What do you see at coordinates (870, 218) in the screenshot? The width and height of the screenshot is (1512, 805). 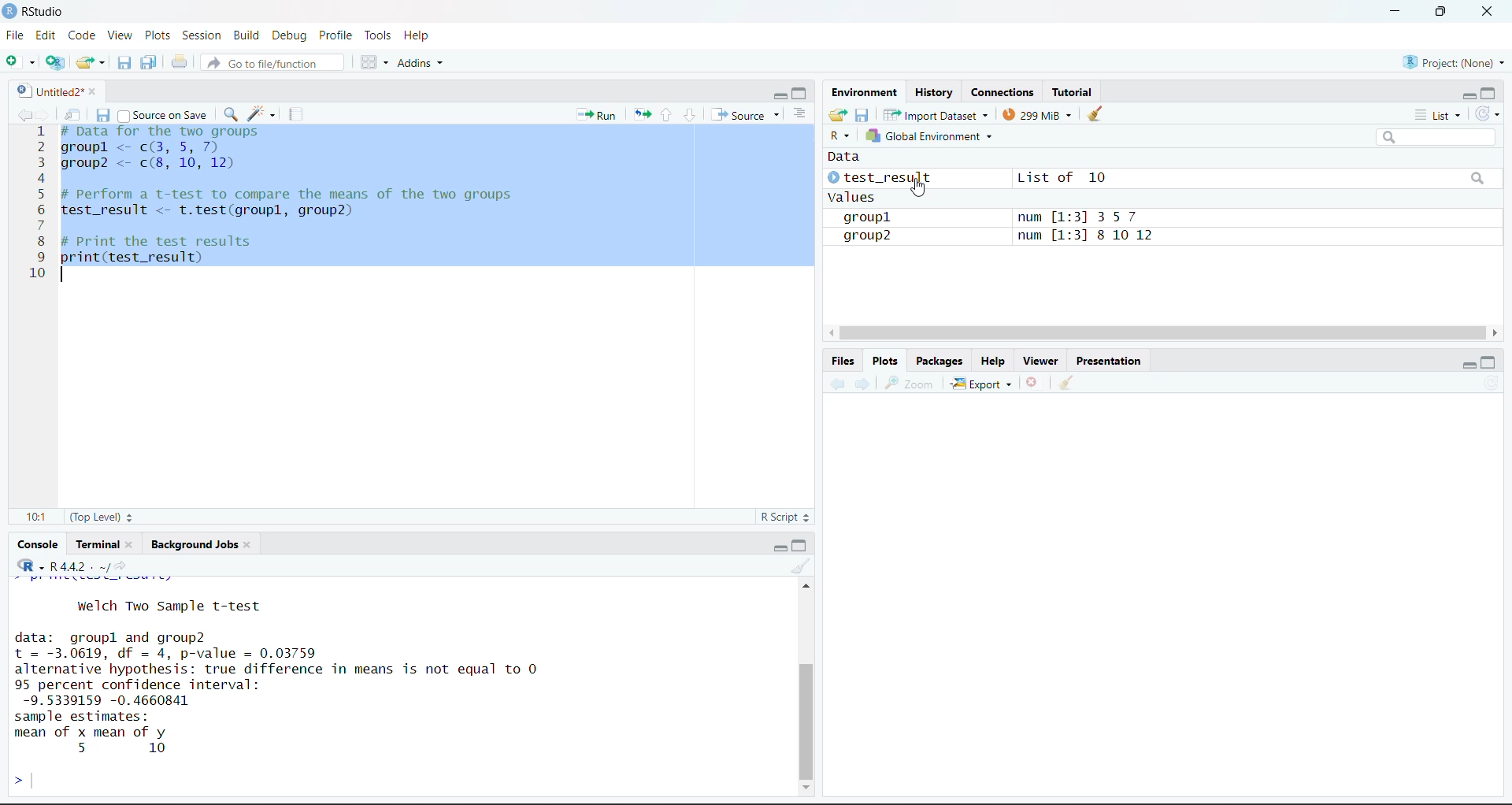 I see `group1` at bounding box center [870, 218].